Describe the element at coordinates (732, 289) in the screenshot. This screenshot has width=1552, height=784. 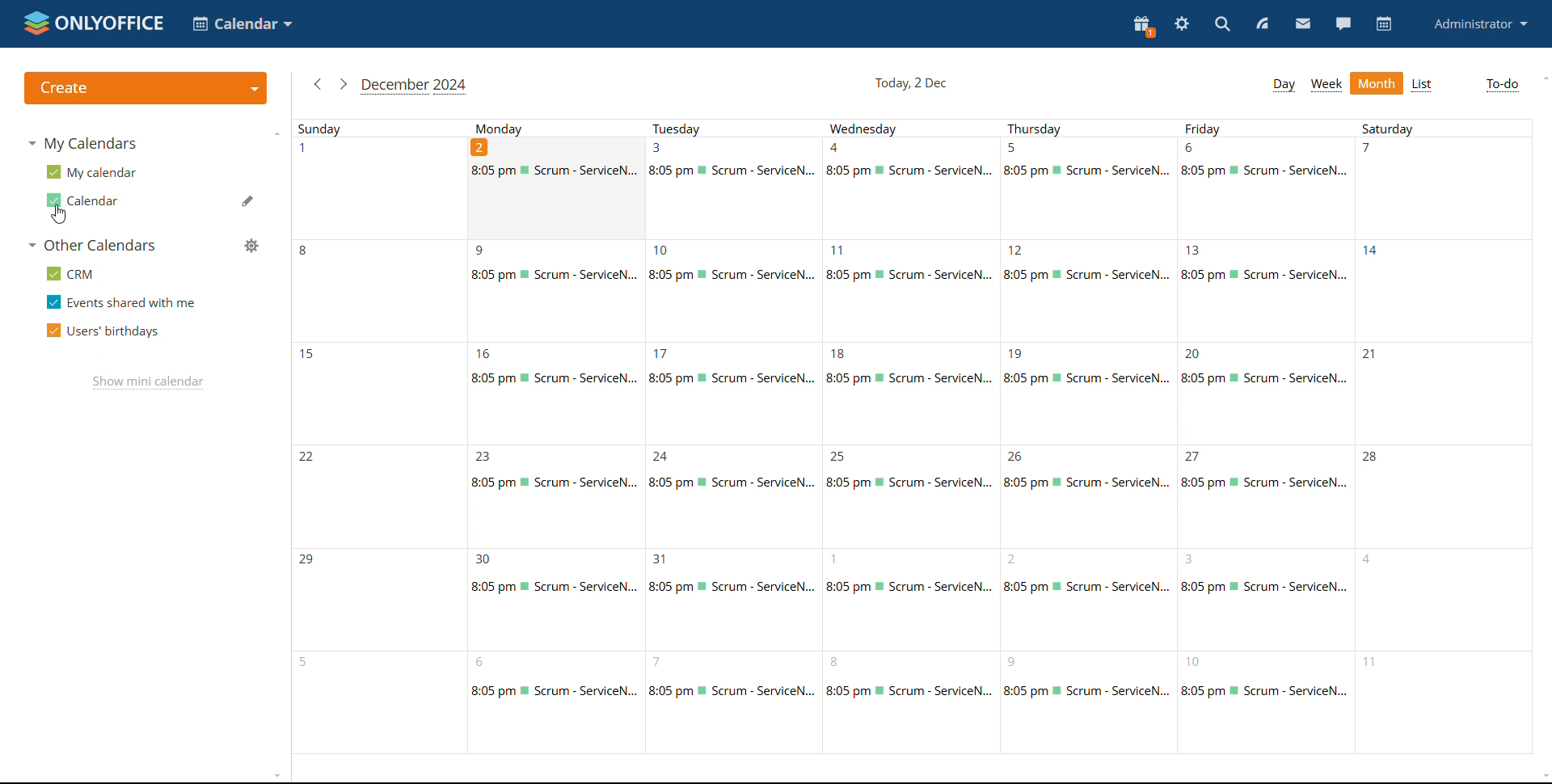
I see `10` at that location.